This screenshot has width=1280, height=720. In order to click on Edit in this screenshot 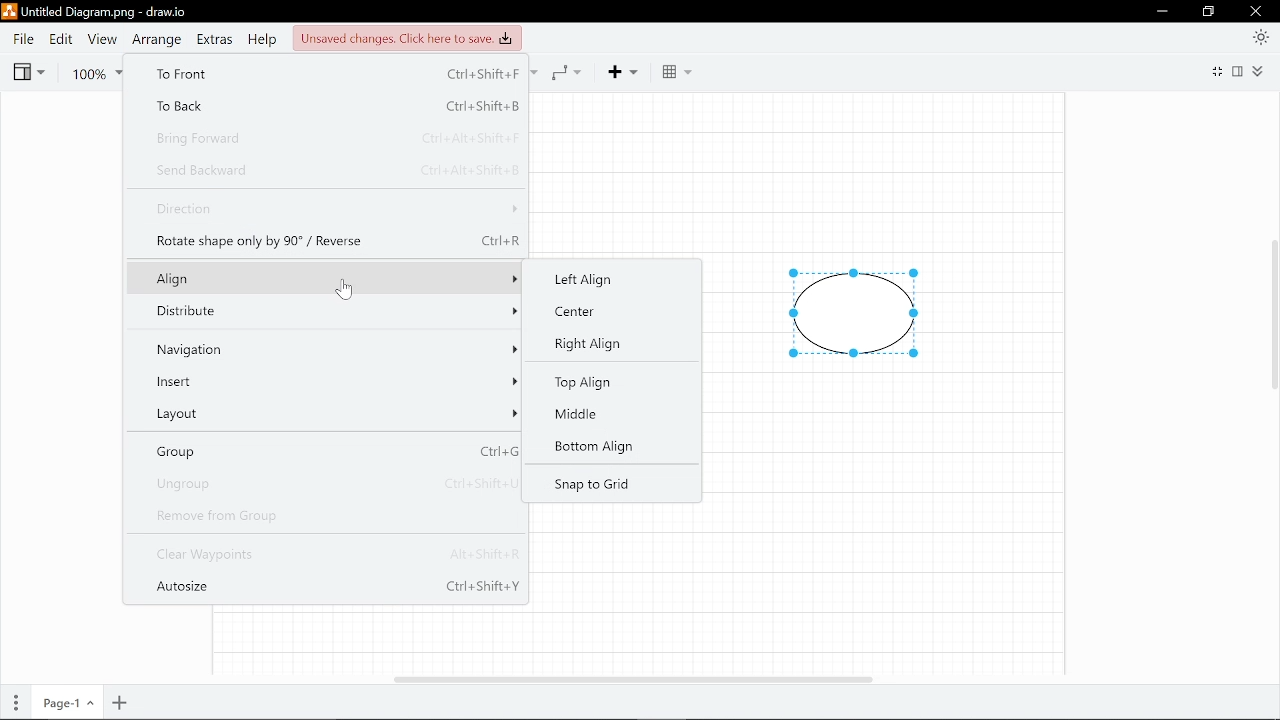, I will do `click(59, 39)`.